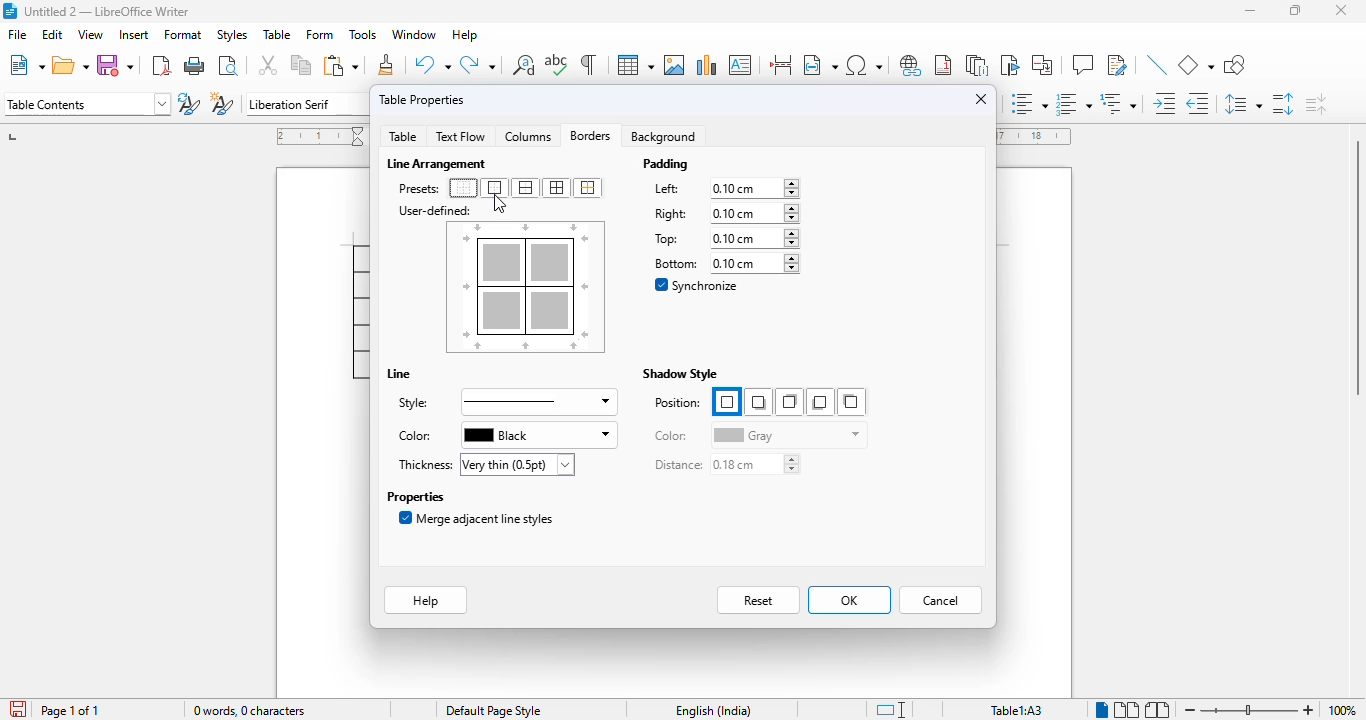 This screenshot has height=720, width=1366. What do you see at coordinates (90, 35) in the screenshot?
I see `view` at bounding box center [90, 35].